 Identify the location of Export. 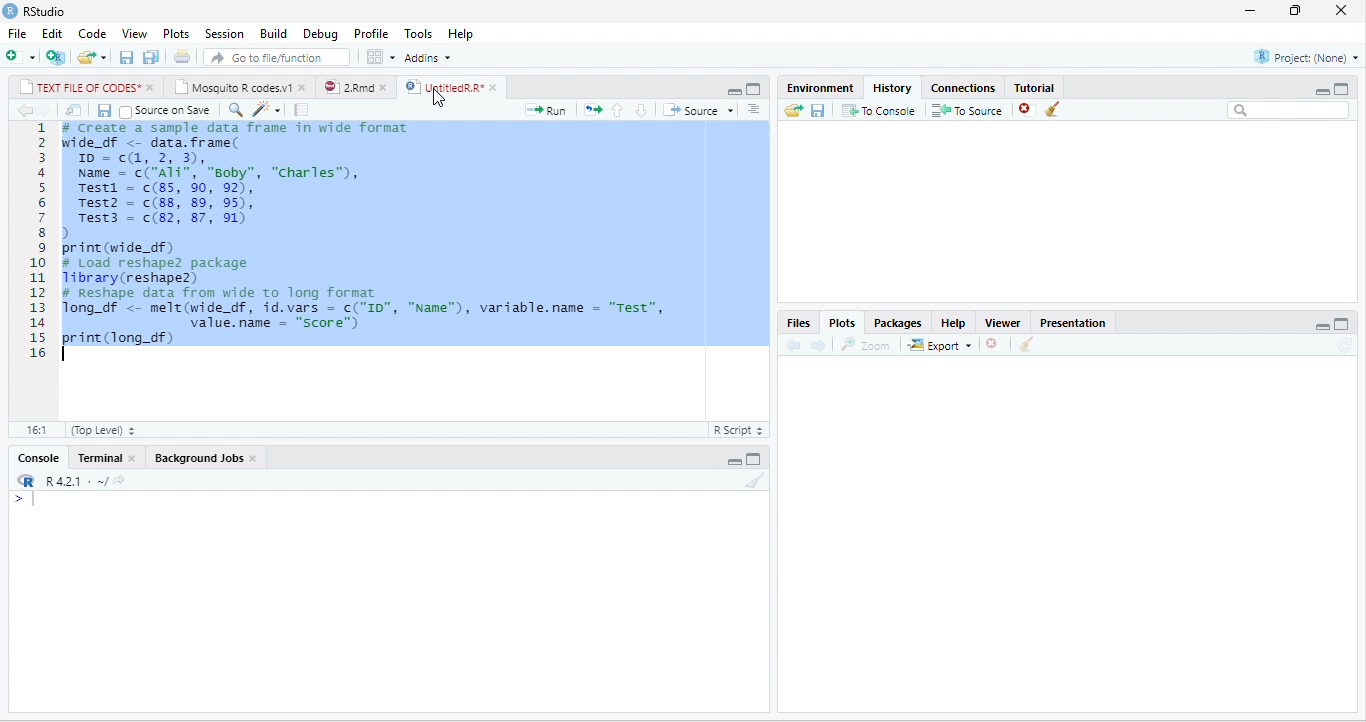
(940, 344).